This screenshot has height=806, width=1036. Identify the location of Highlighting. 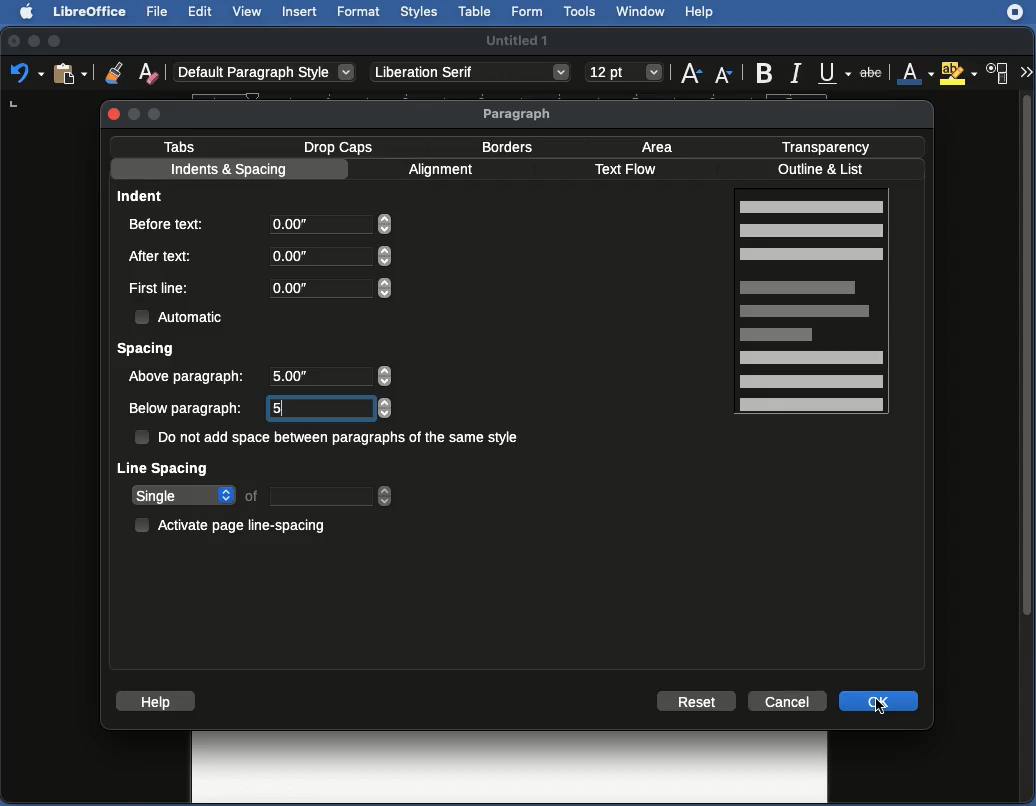
(960, 73).